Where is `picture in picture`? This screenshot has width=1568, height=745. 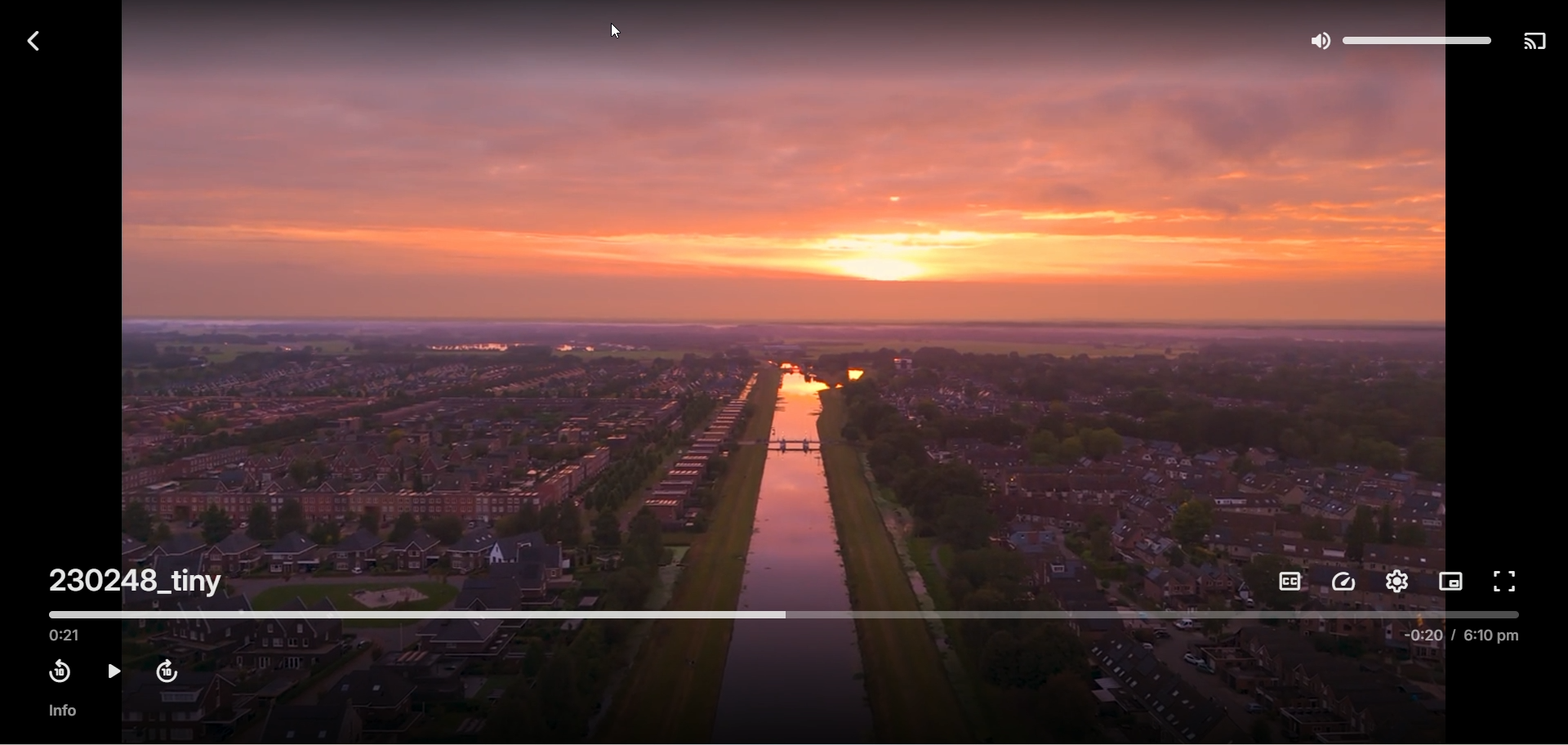 picture in picture is located at coordinates (1452, 582).